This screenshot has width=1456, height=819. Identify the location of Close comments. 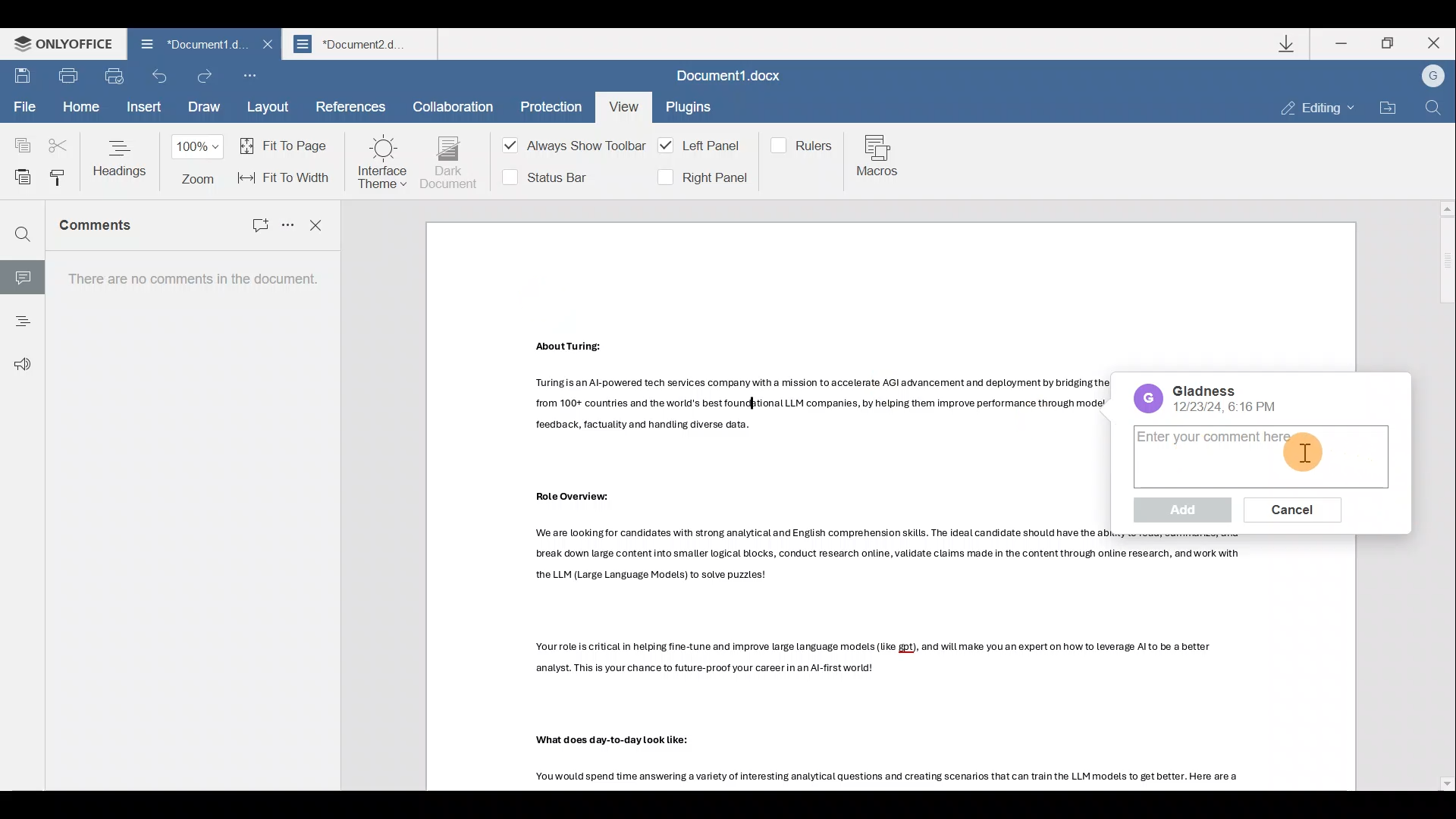
(317, 224).